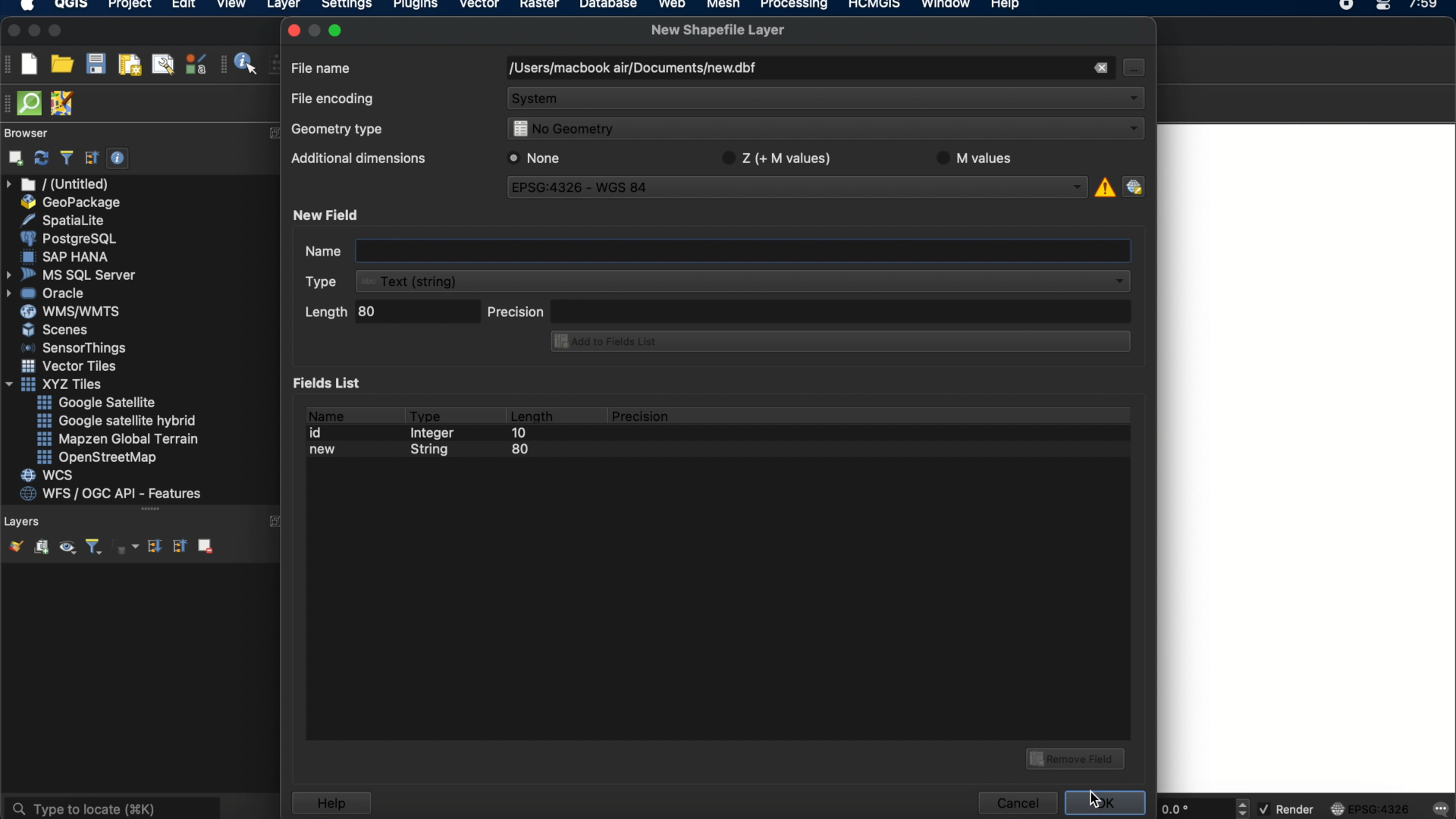 This screenshot has width=1456, height=819. What do you see at coordinates (1288, 810) in the screenshot?
I see `render` at bounding box center [1288, 810].